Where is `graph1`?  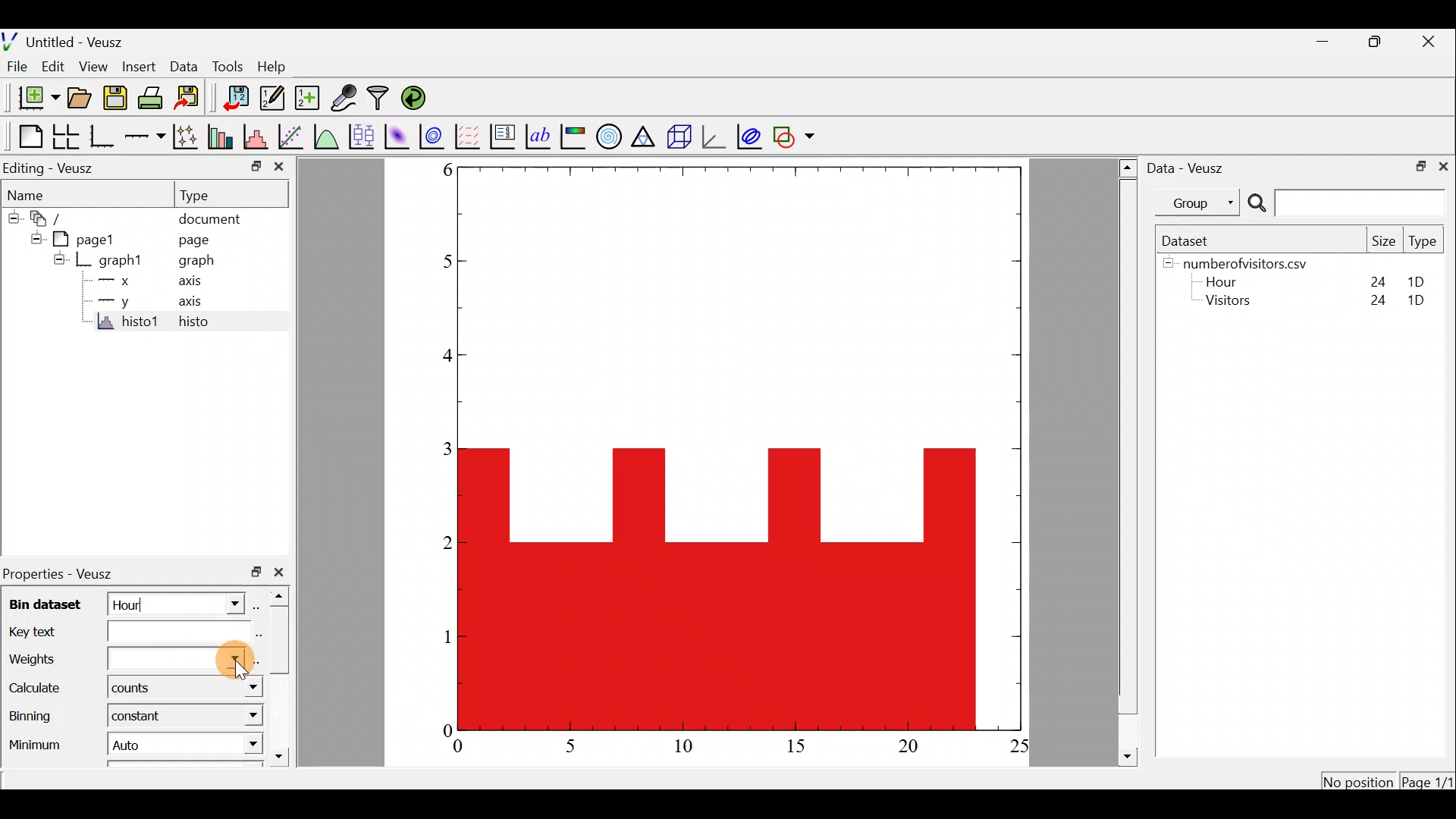
graph1 is located at coordinates (122, 259).